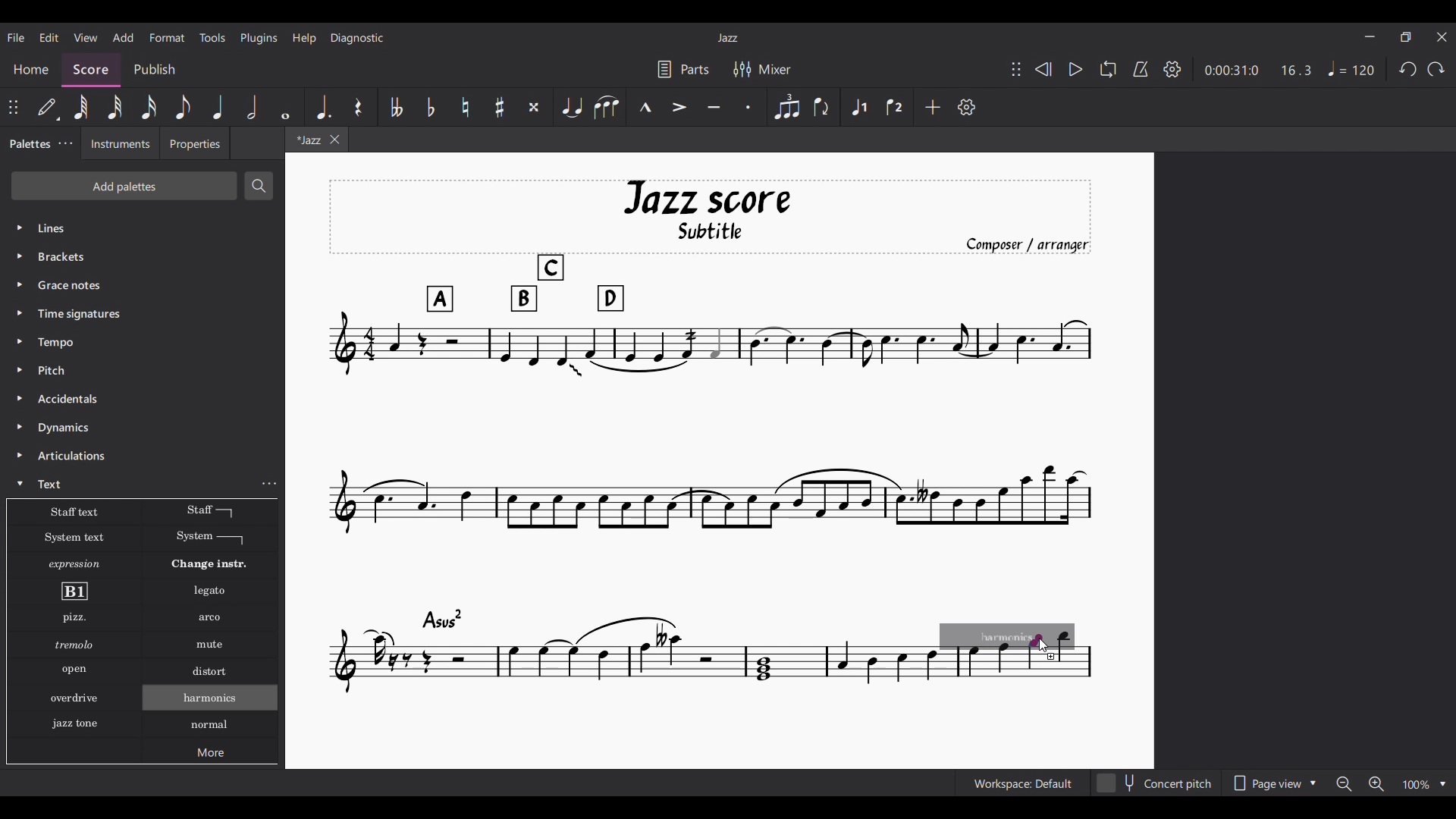  I want to click on Collapse, so click(20, 483).